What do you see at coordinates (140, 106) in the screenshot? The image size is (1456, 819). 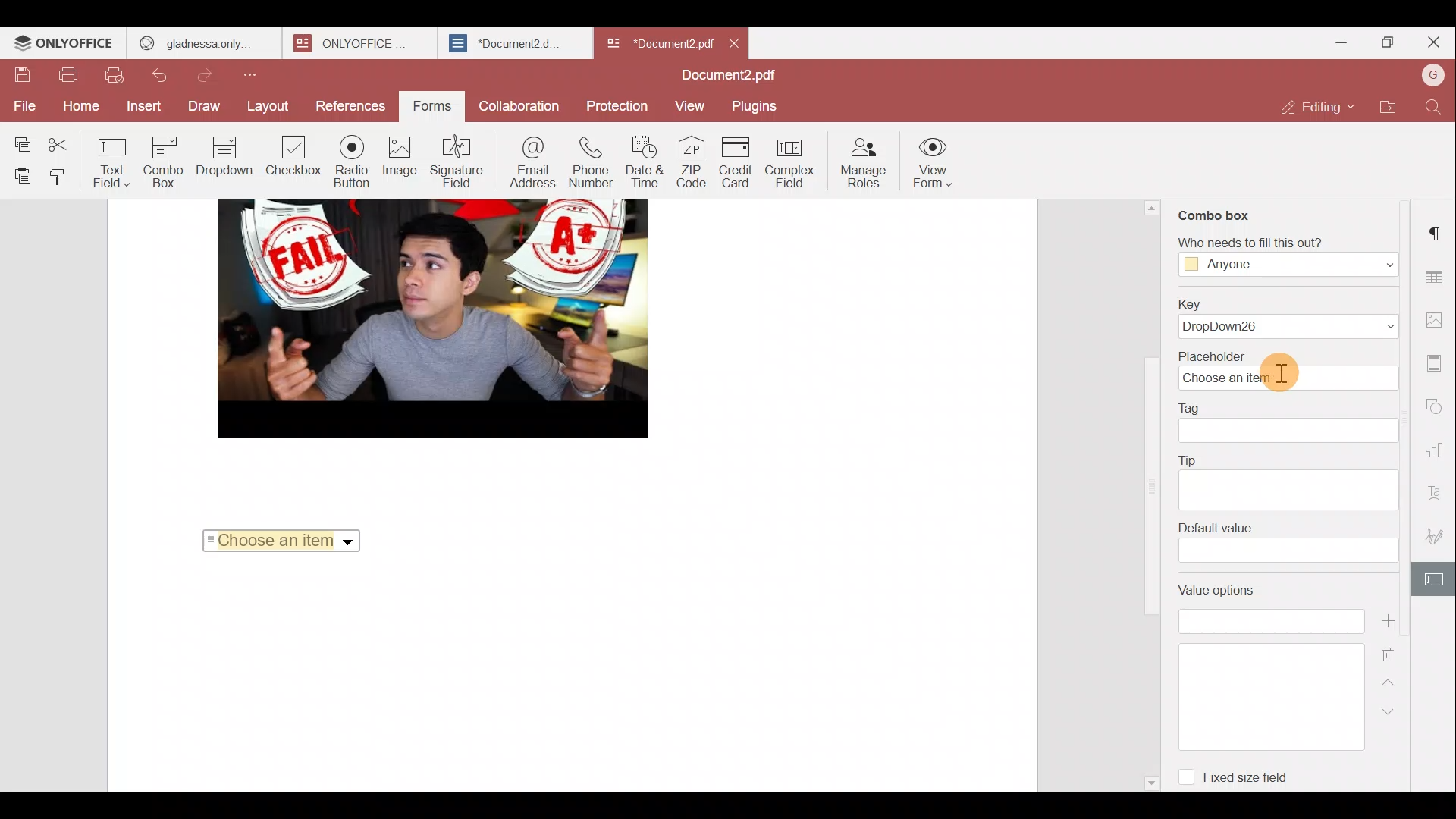 I see `Insert` at bounding box center [140, 106].